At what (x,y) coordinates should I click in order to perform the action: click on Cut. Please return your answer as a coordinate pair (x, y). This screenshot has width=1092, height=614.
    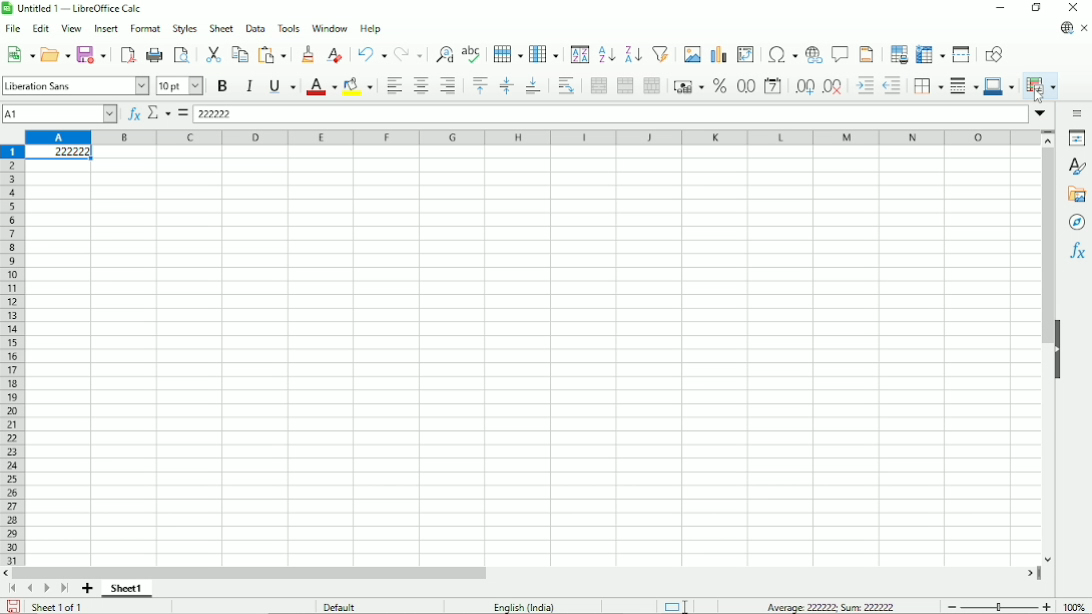
    Looking at the image, I should click on (212, 53).